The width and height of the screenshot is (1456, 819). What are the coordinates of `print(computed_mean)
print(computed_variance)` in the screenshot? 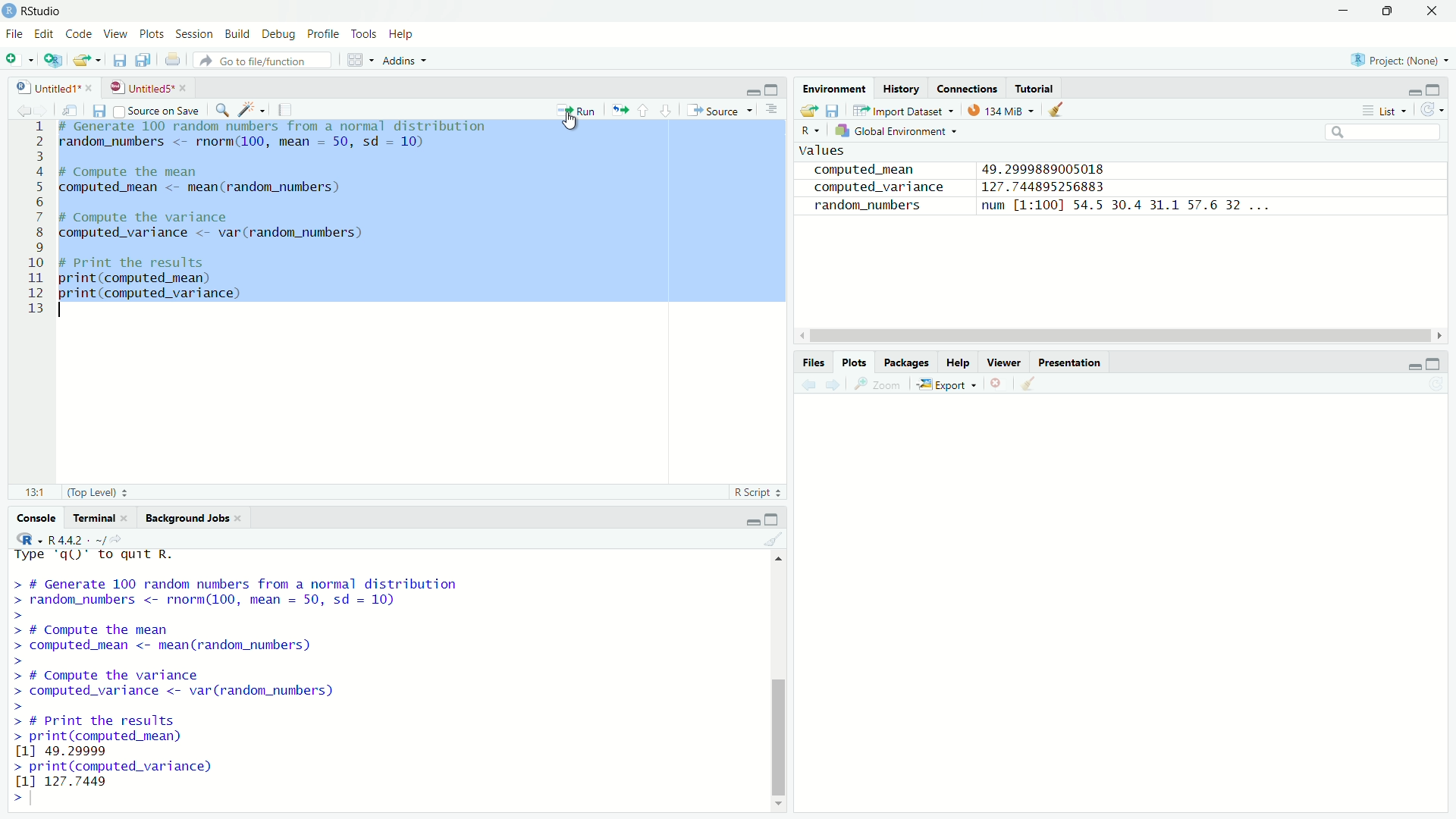 It's located at (168, 286).